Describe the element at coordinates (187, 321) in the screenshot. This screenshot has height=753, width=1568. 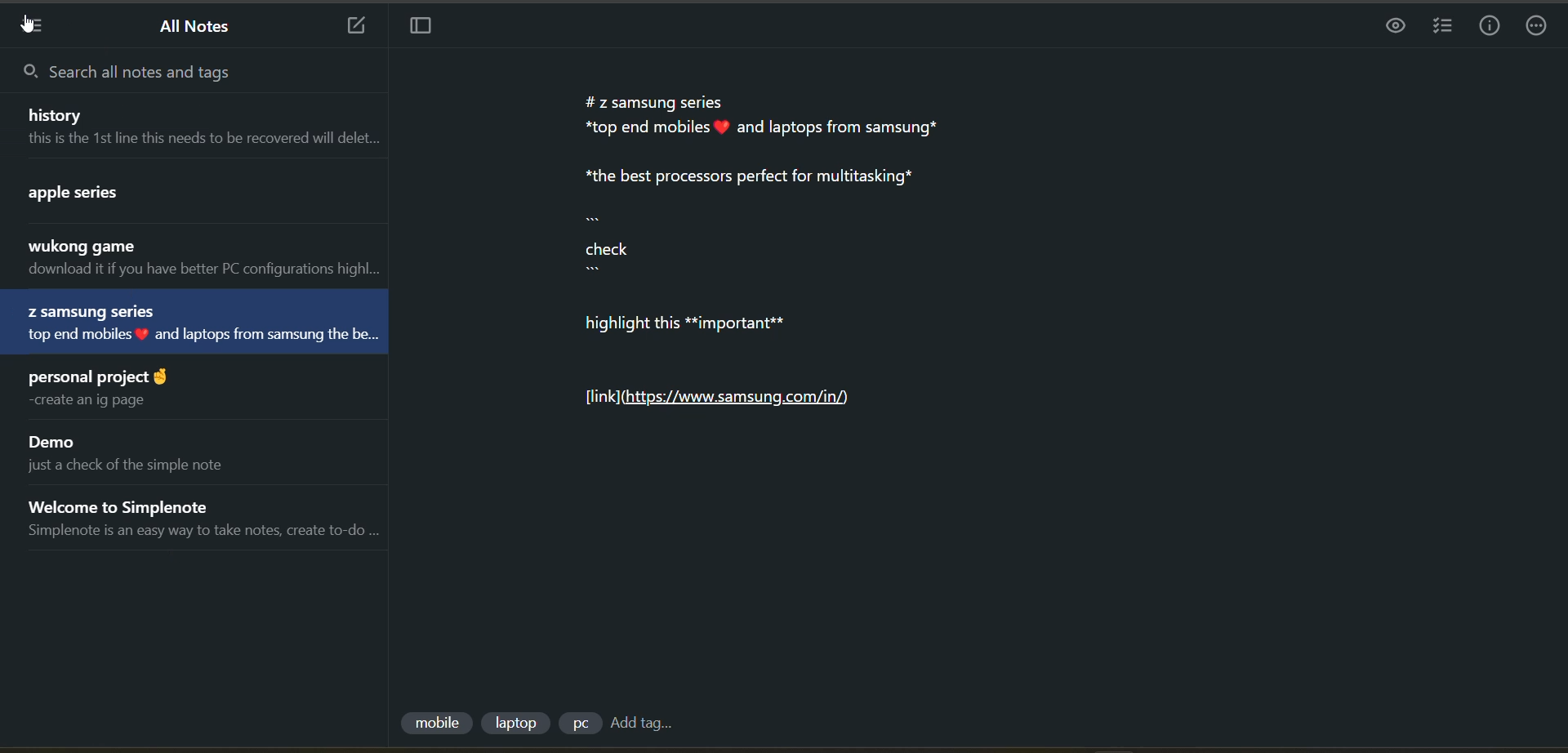
I see `note title and preview` at that location.